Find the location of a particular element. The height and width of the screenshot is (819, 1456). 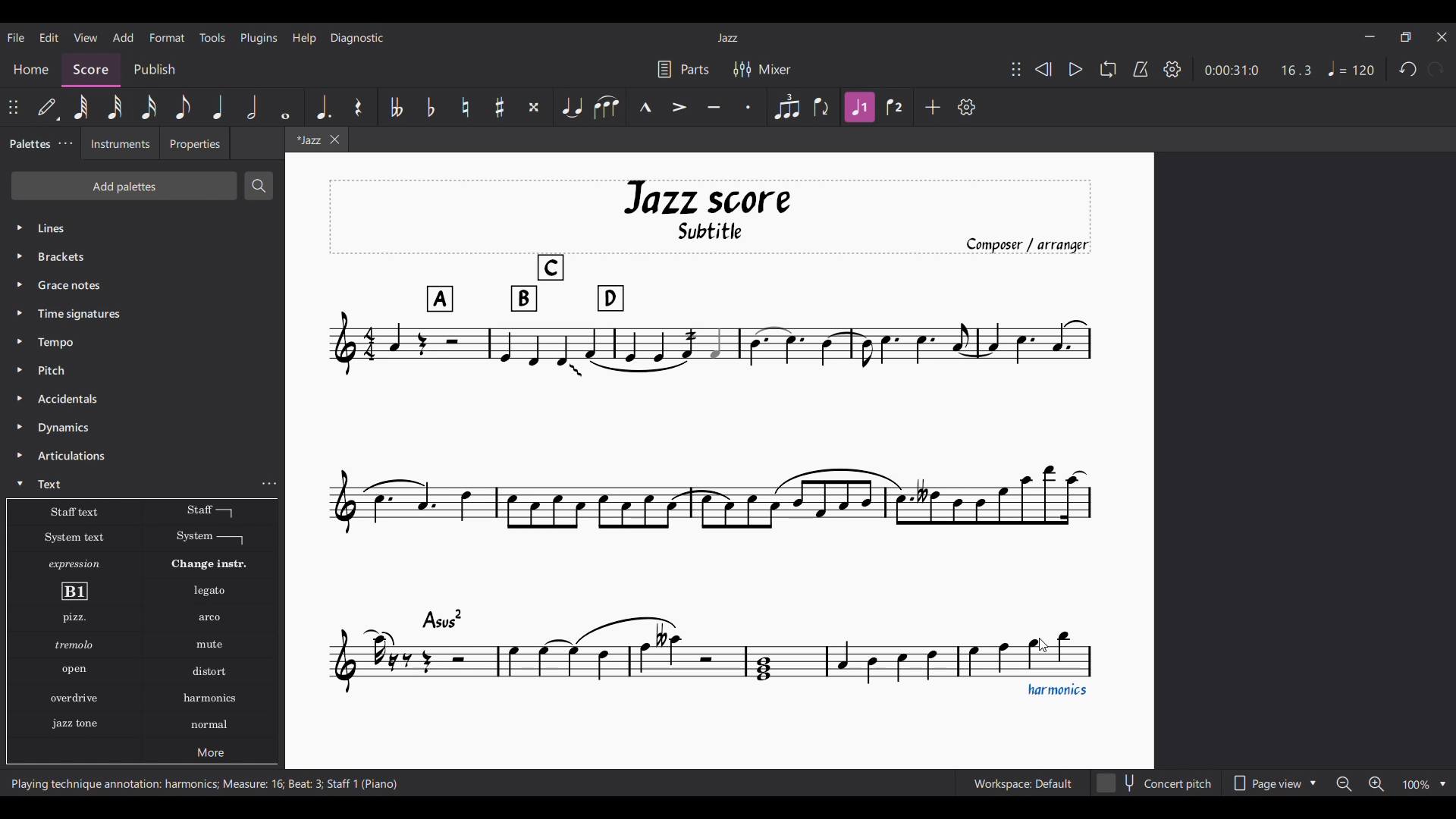

Change position is located at coordinates (13, 107).